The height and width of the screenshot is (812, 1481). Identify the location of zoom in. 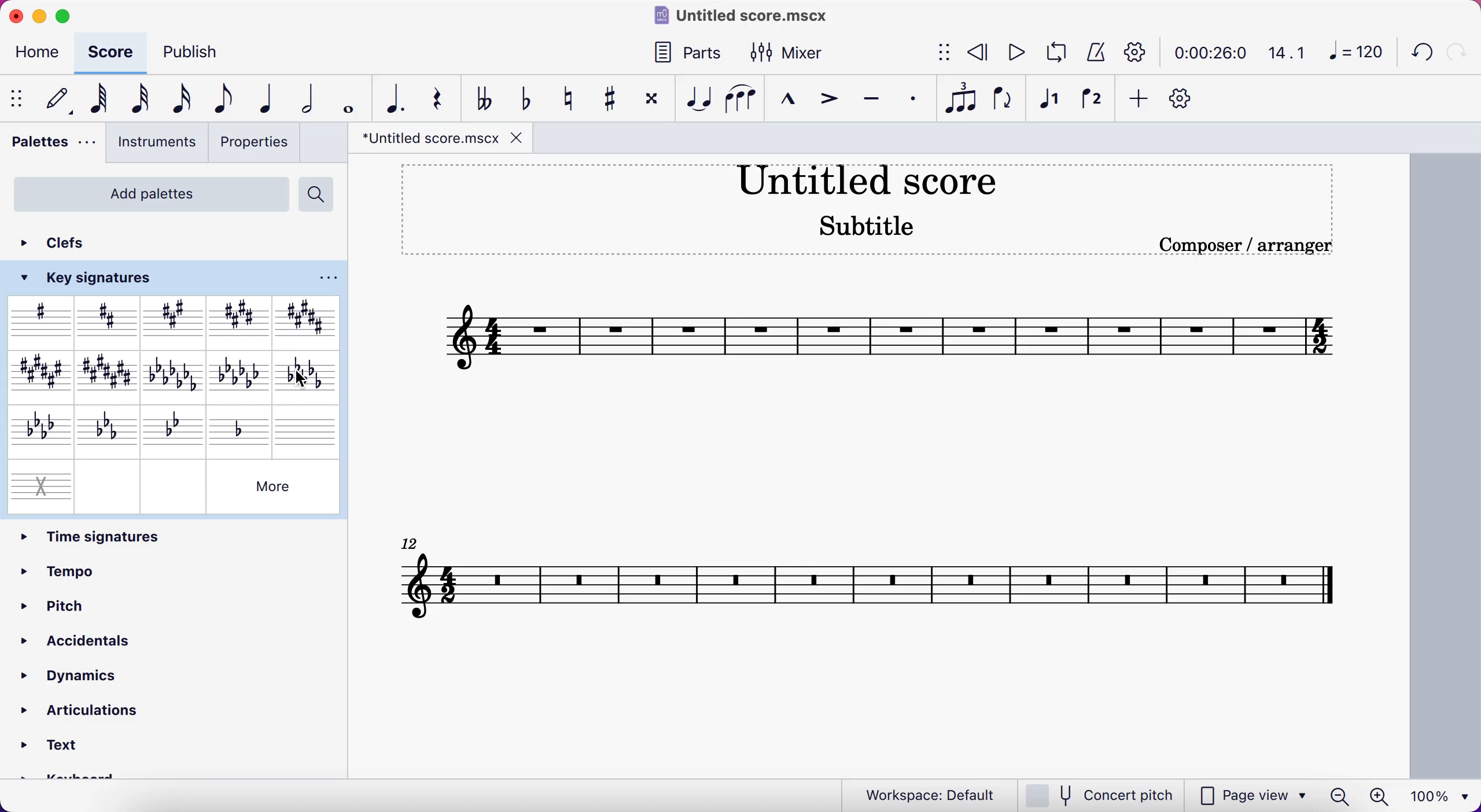
(1381, 795).